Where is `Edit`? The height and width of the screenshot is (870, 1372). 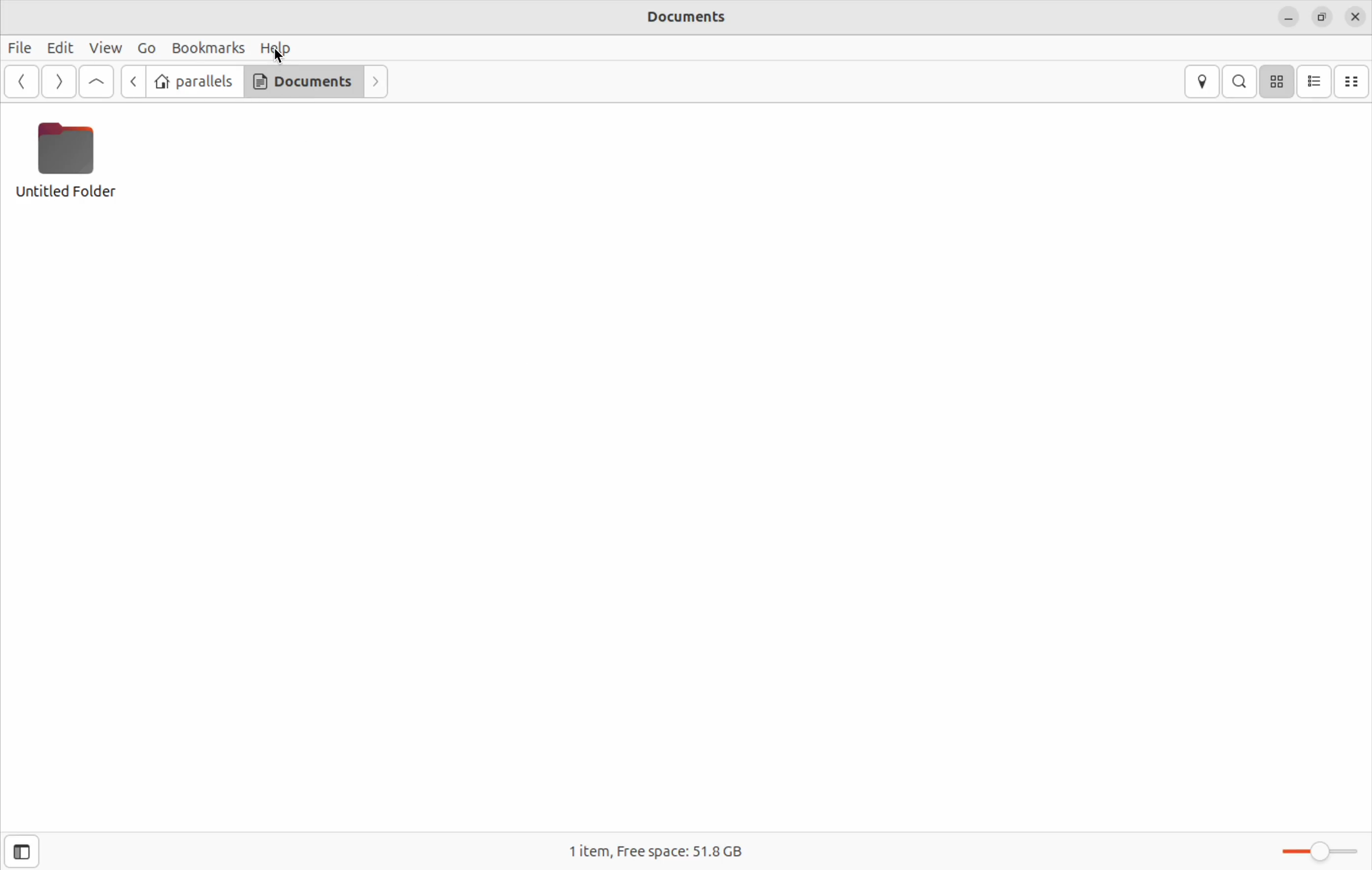
Edit is located at coordinates (59, 47).